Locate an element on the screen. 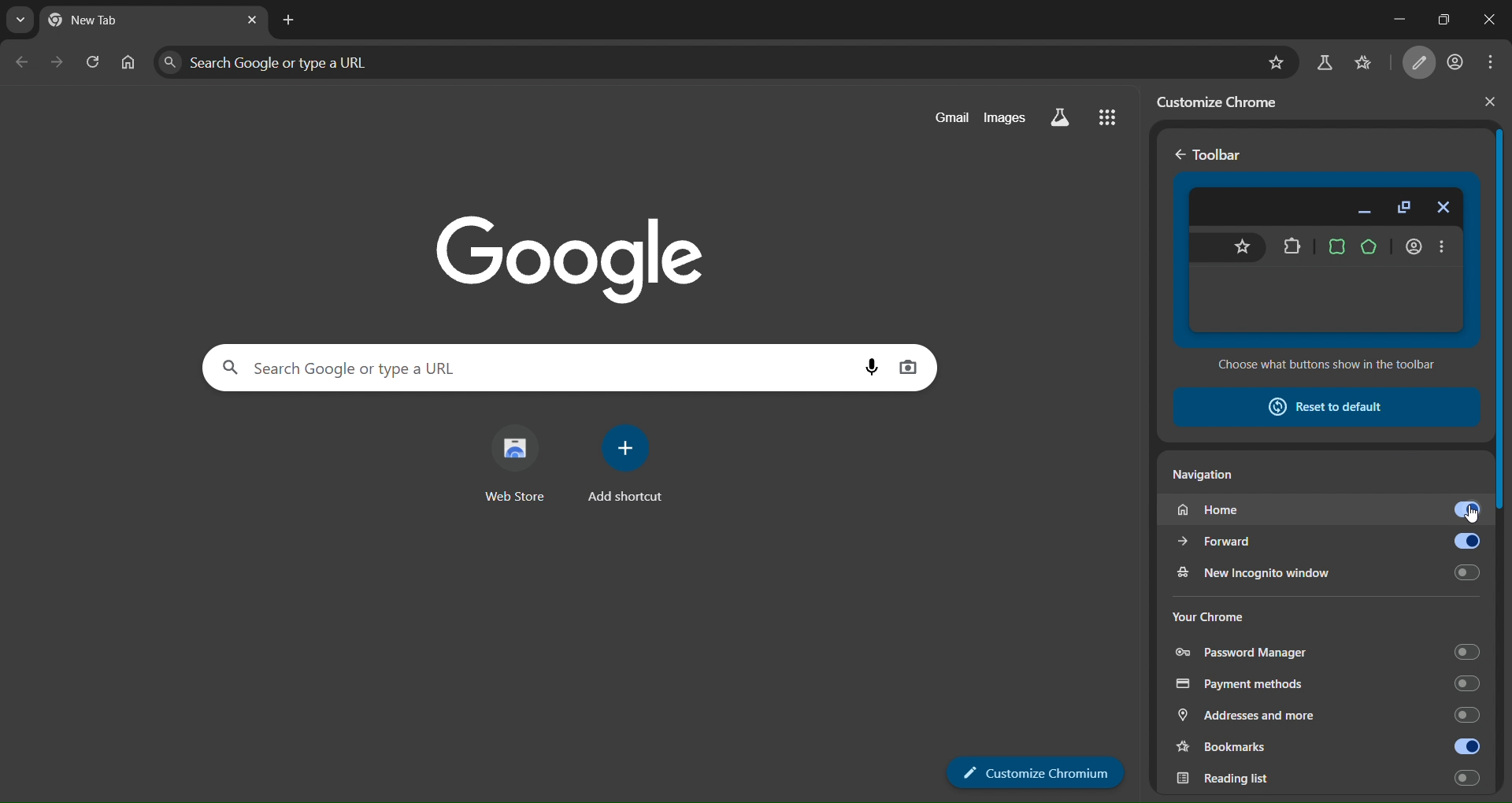 The height and width of the screenshot is (803, 1512). Google is located at coordinates (563, 246).